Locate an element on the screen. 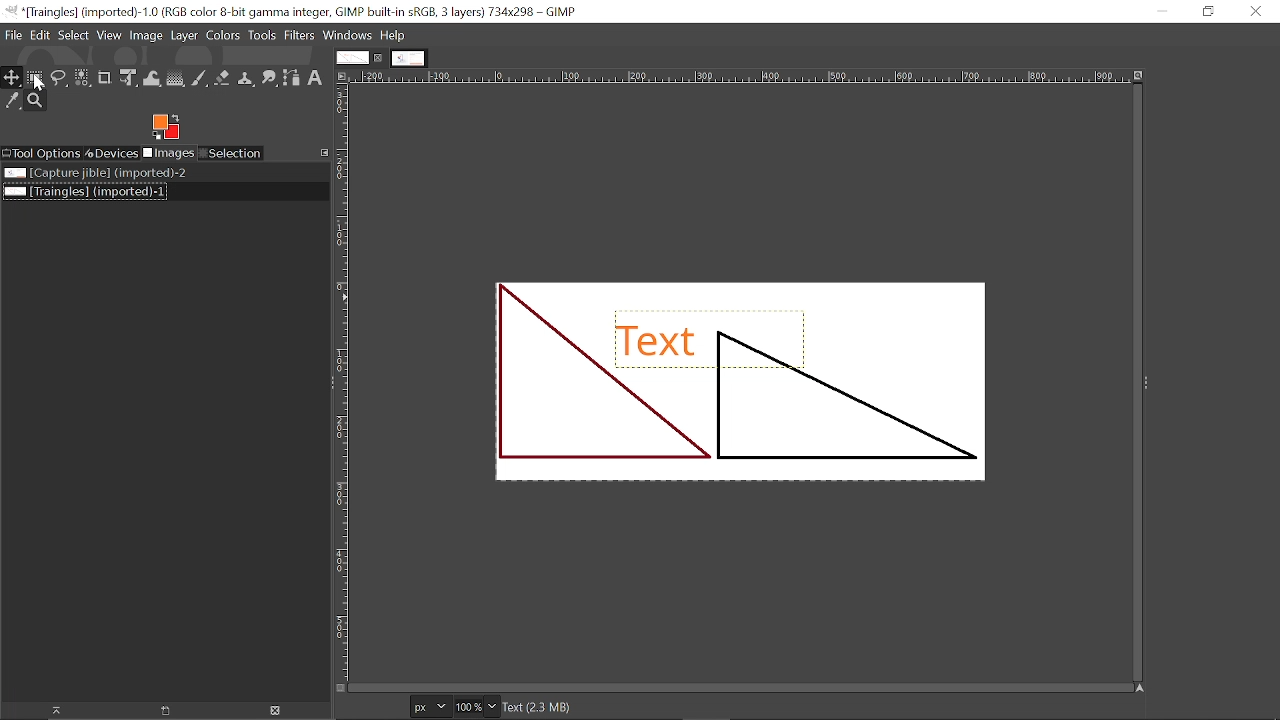 The width and height of the screenshot is (1280, 720). Wrap text tool is located at coordinates (152, 78).